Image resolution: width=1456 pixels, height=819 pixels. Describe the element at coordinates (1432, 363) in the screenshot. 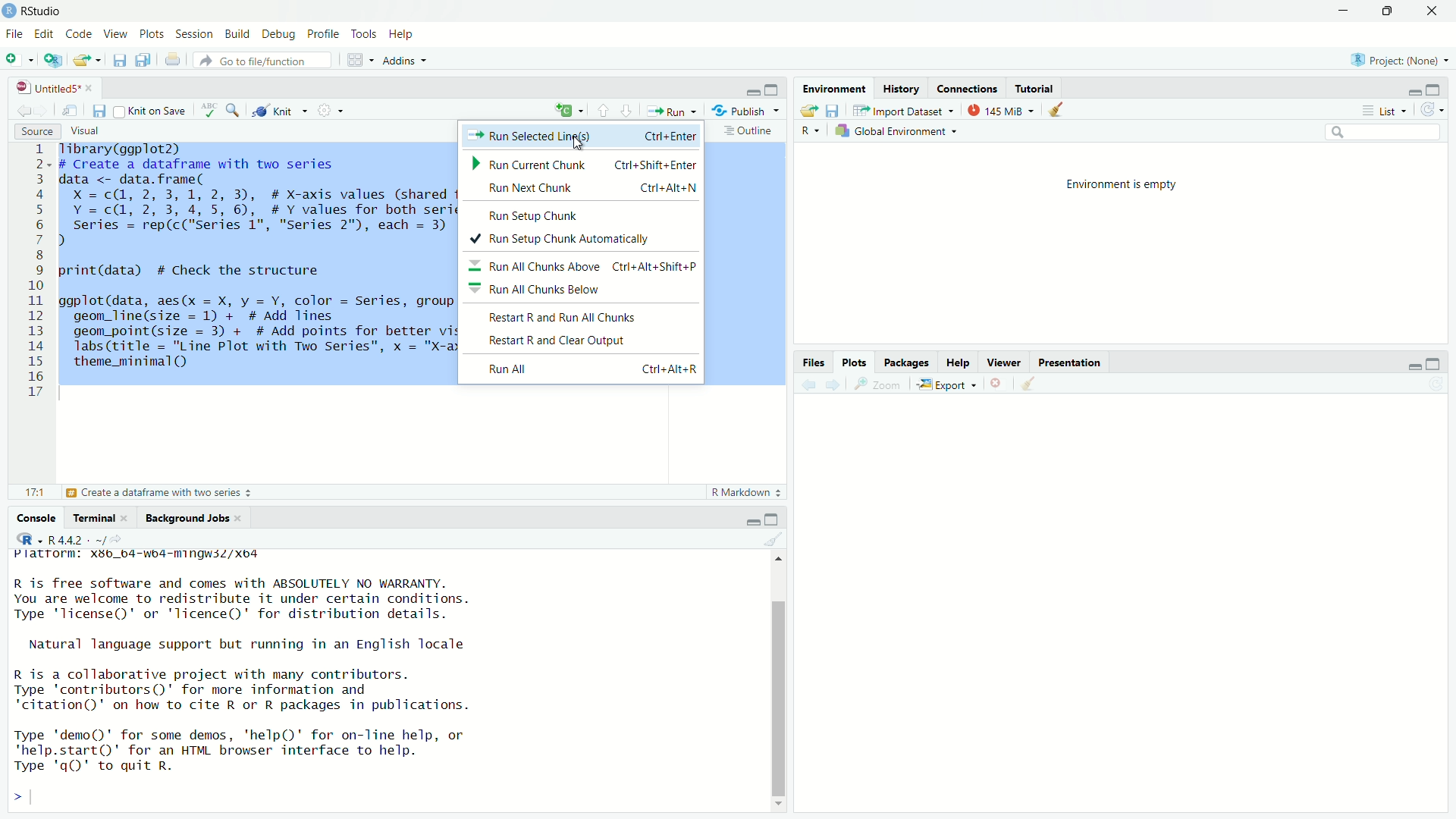

I see `Maximize` at that location.